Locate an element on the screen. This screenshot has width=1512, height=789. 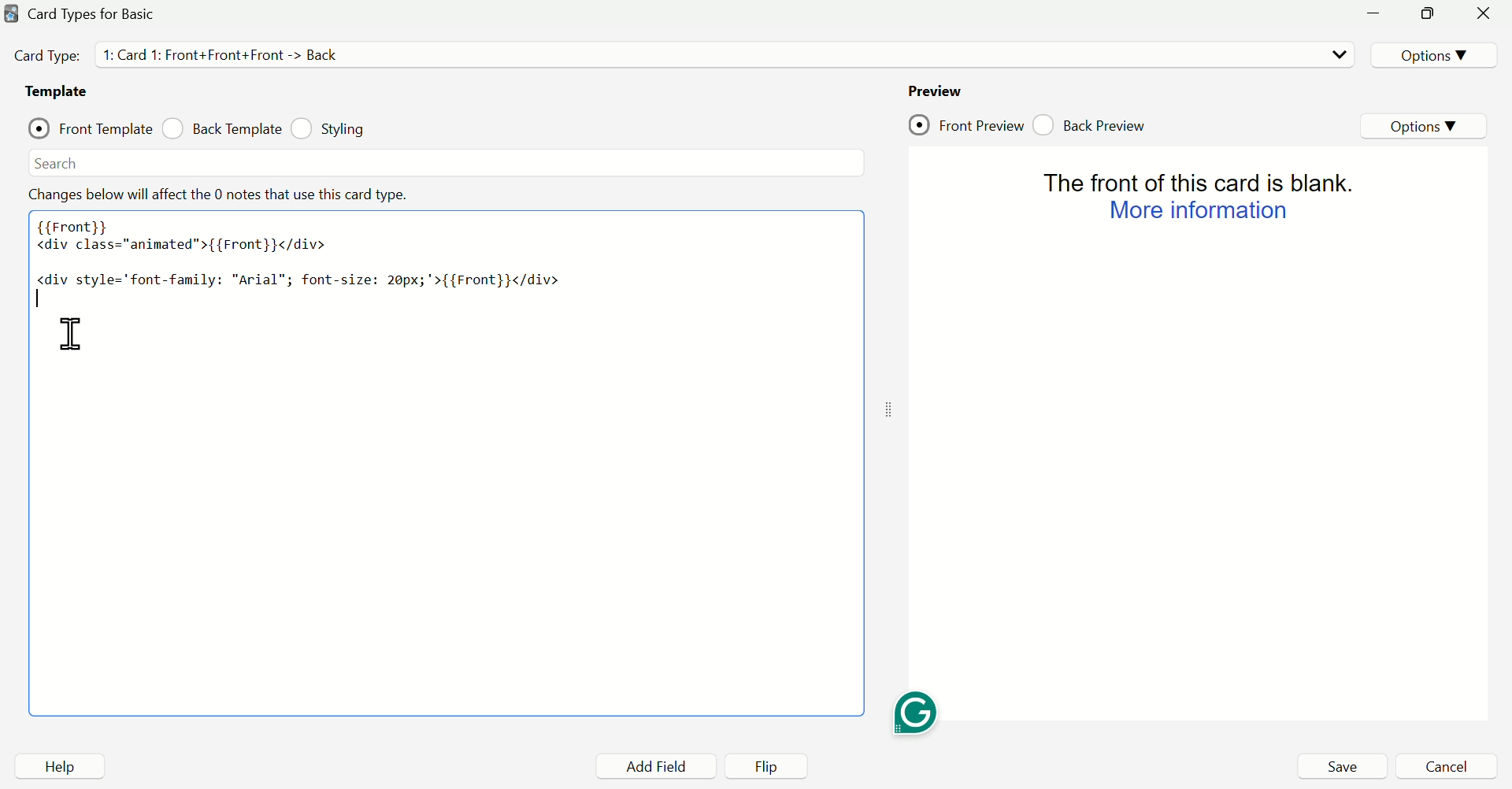
Front Template Editor code for print "The front of this card is blank." is located at coordinates (452, 469).